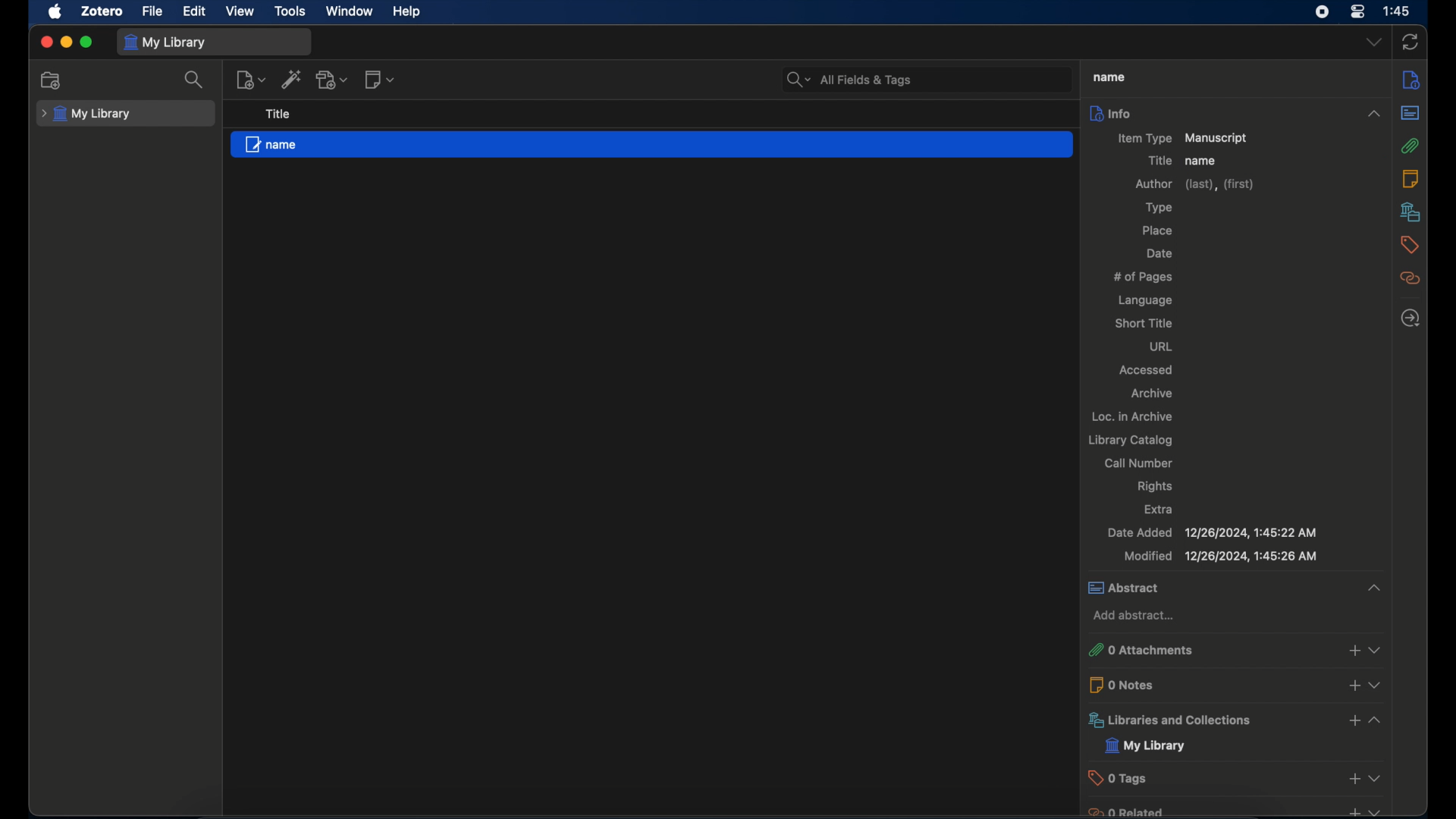  I want to click on short title, so click(1143, 322).